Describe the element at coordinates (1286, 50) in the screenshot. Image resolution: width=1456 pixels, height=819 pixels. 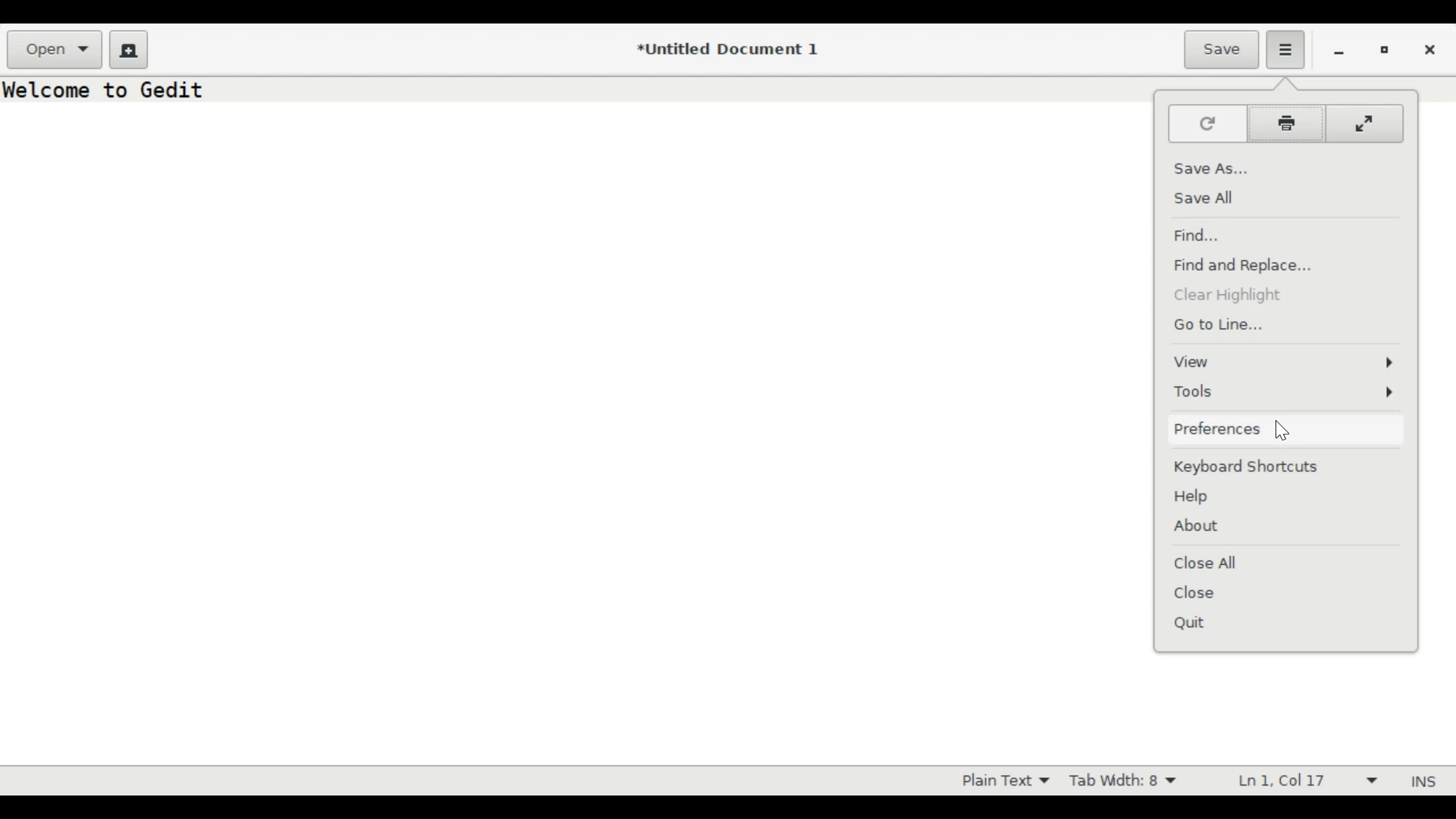
I see `Application menu` at that location.